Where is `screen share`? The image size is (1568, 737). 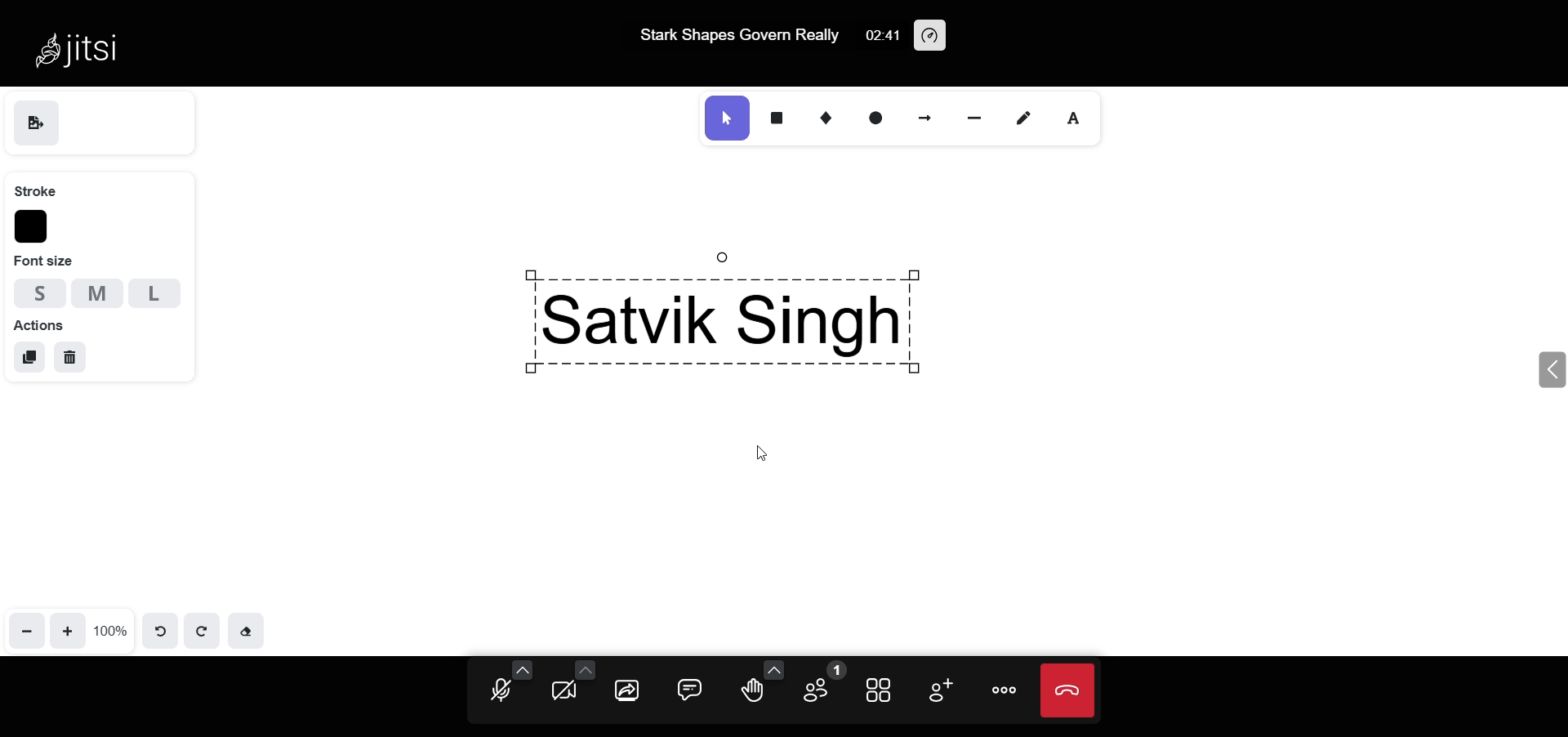 screen share is located at coordinates (629, 691).